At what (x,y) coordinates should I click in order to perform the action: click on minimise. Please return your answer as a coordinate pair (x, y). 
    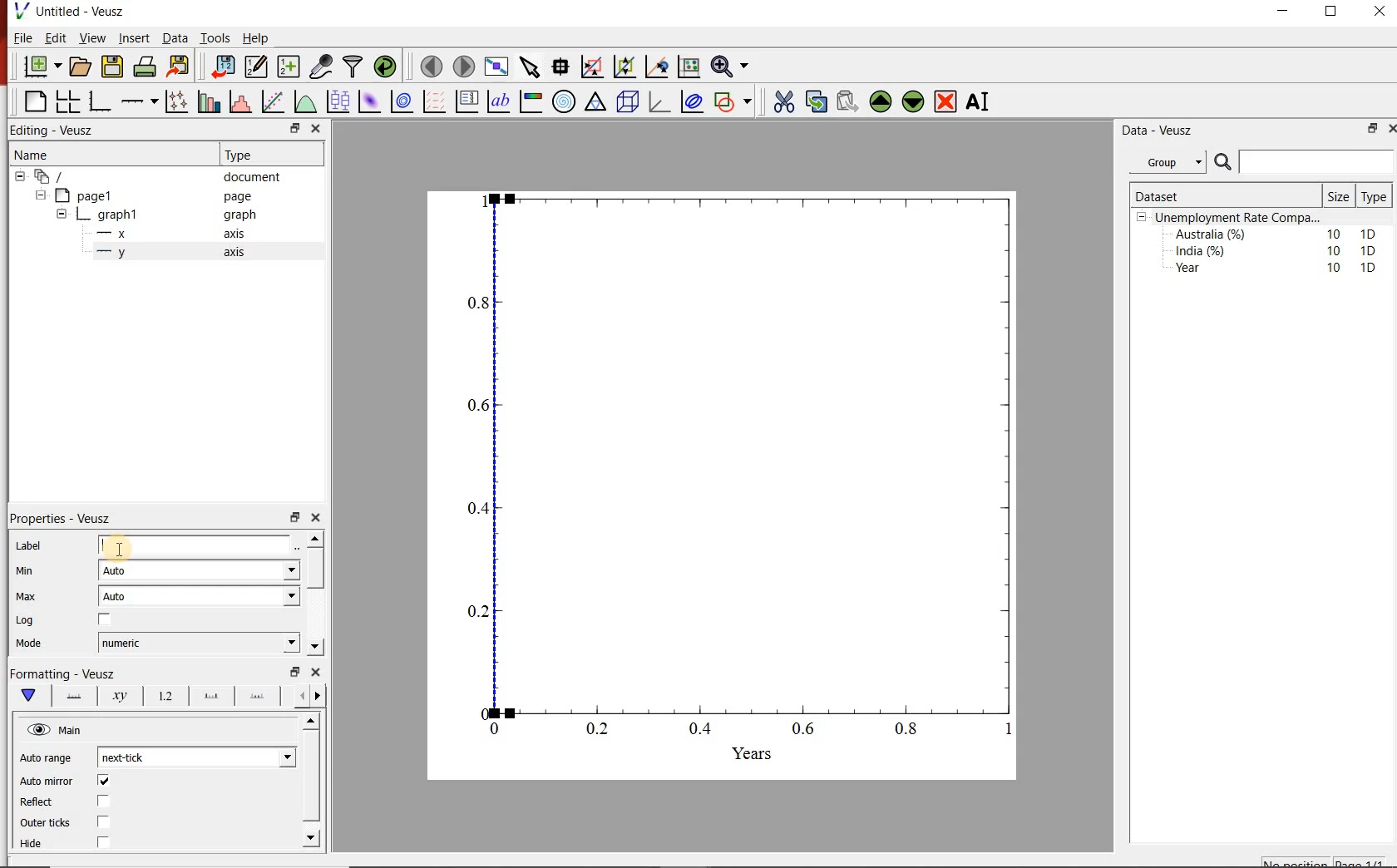
    Looking at the image, I should click on (294, 516).